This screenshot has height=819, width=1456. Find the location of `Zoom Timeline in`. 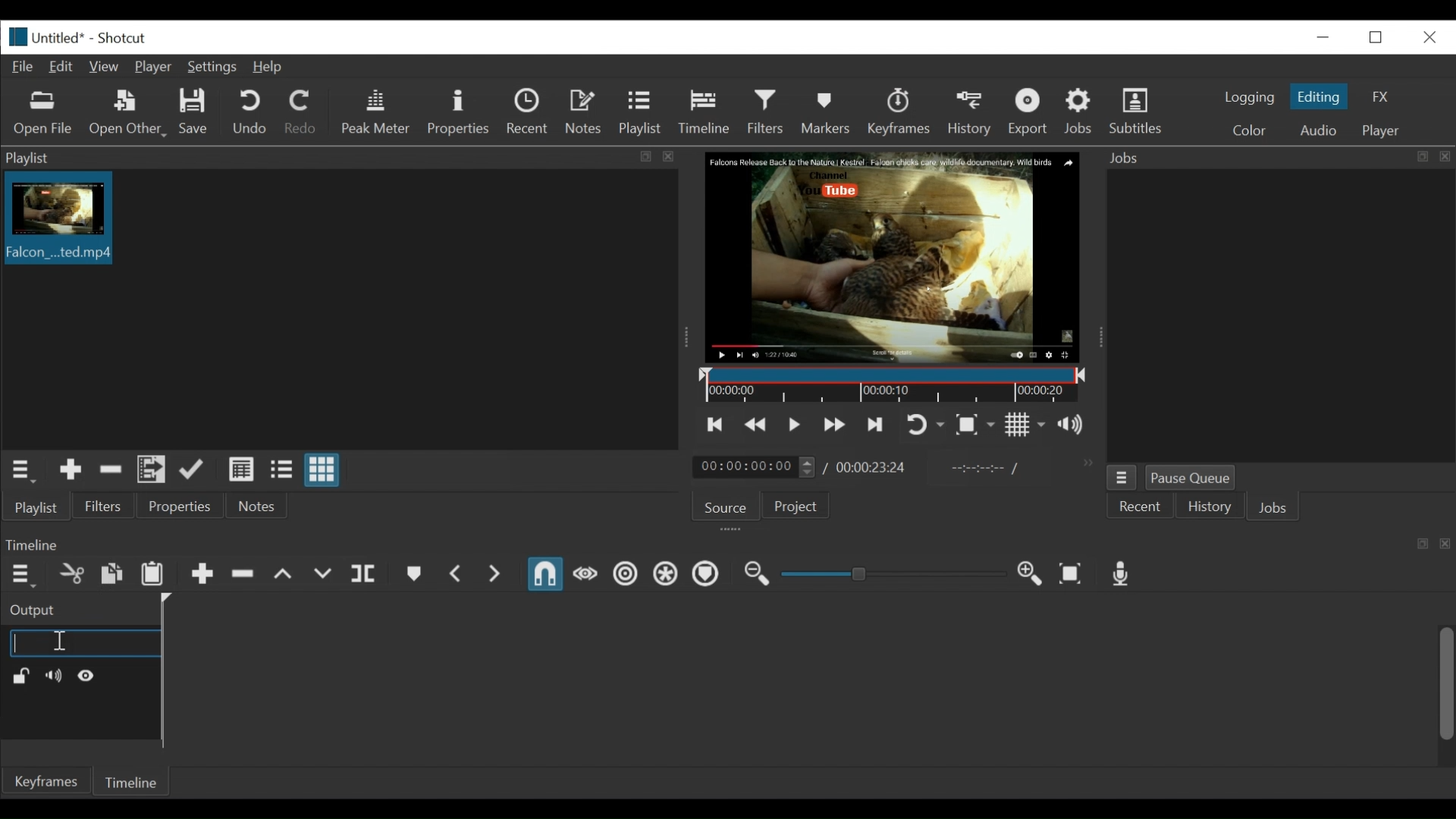

Zoom Timeline in is located at coordinates (1032, 575).